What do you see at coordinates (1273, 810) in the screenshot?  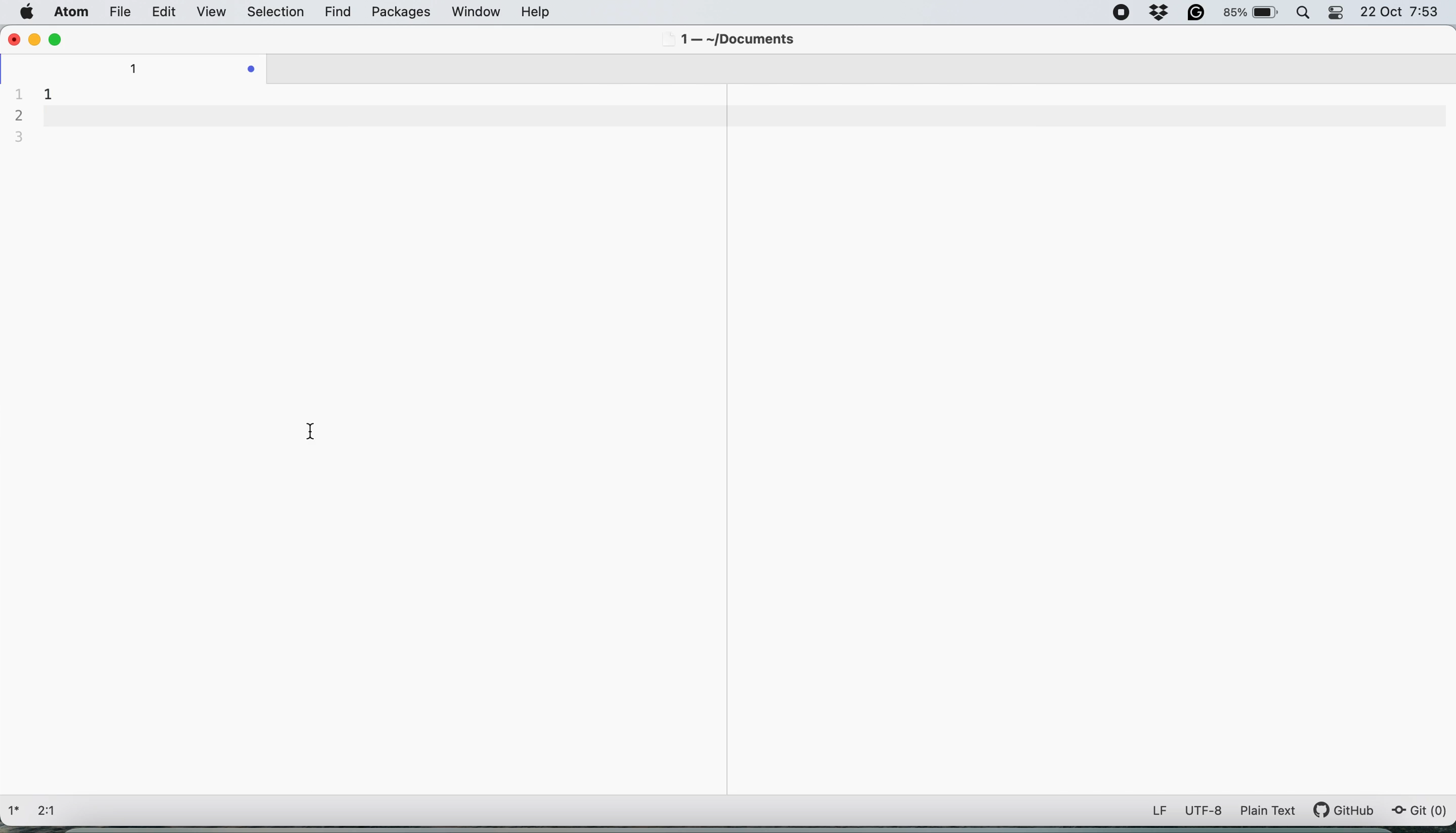 I see `plain text` at bounding box center [1273, 810].